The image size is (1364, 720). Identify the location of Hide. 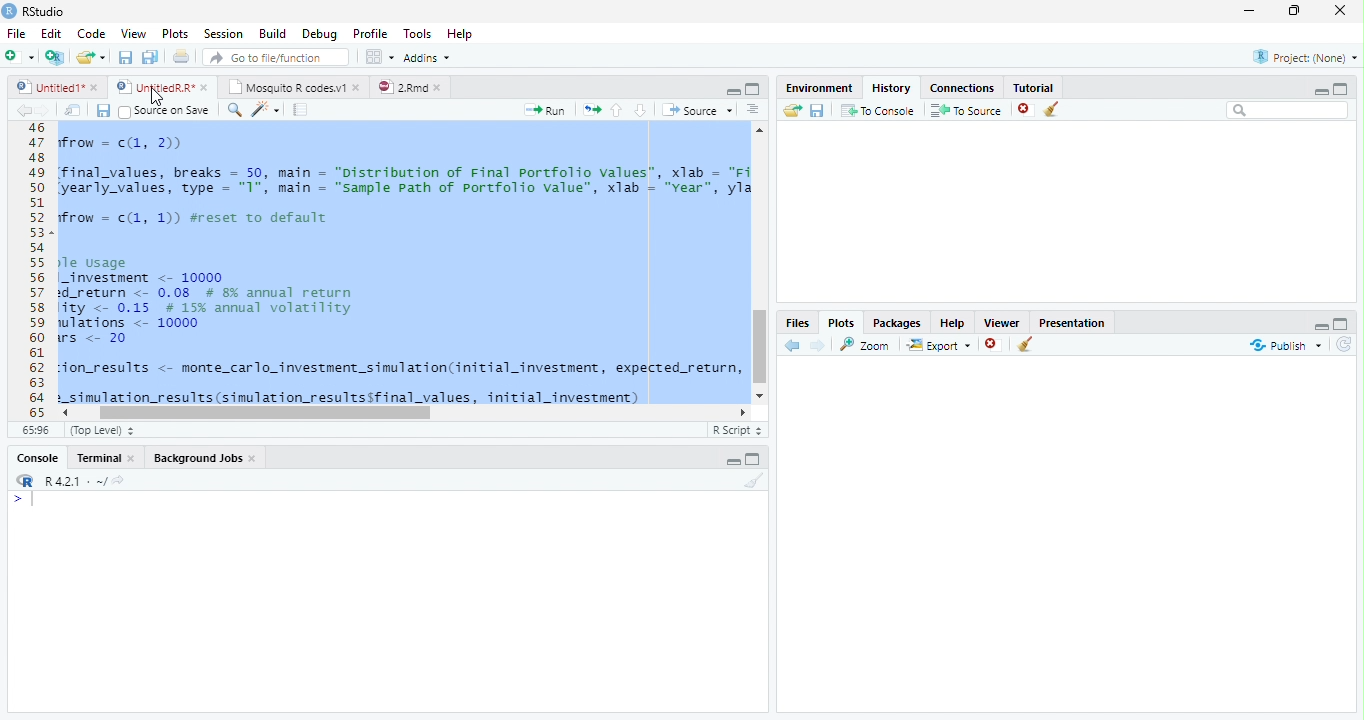
(1321, 90).